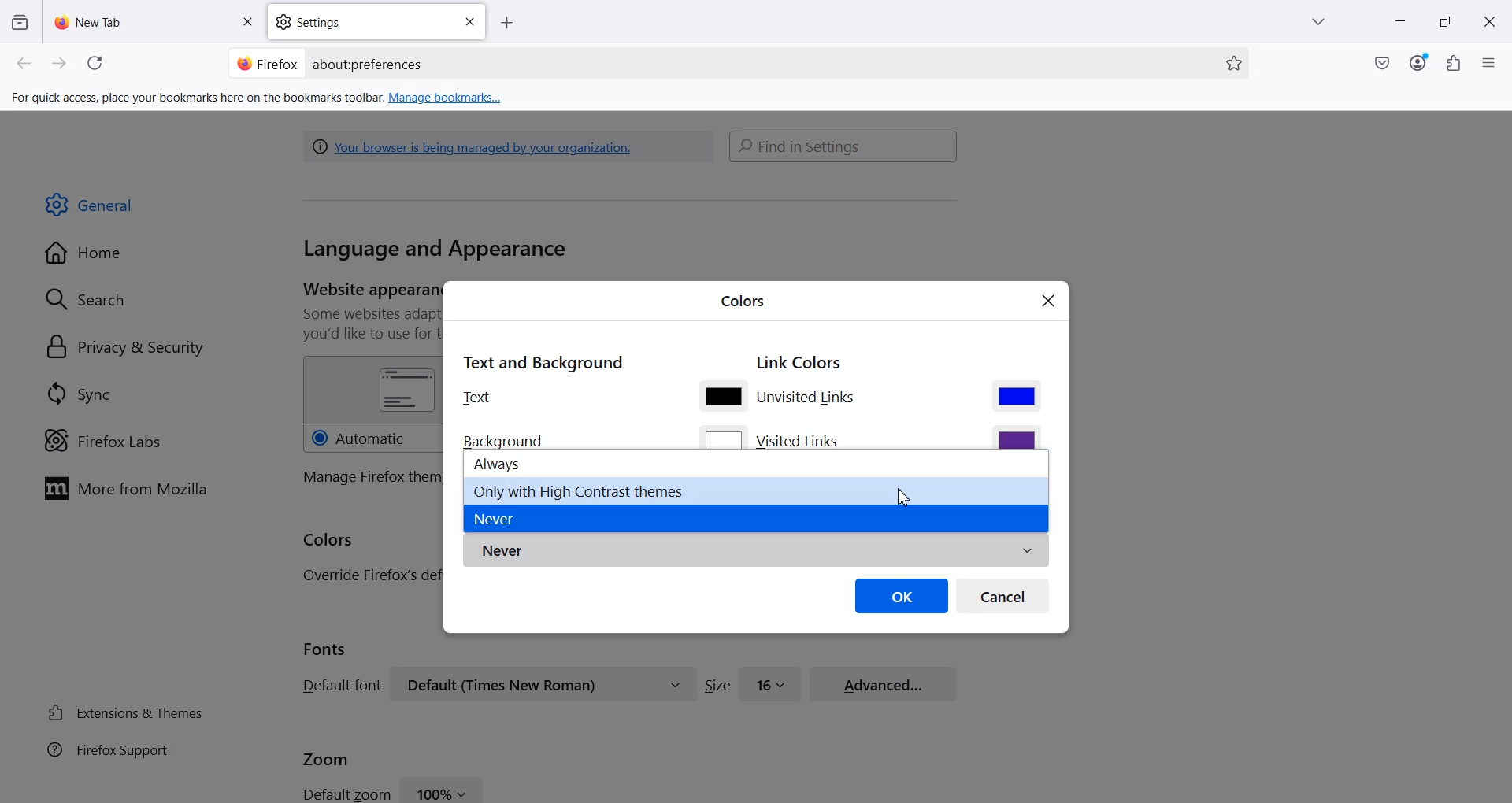 This screenshot has height=803, width=1512. Describe the element at coordinates (906, 498) in the screenshot. I see `Cursor` at that location.